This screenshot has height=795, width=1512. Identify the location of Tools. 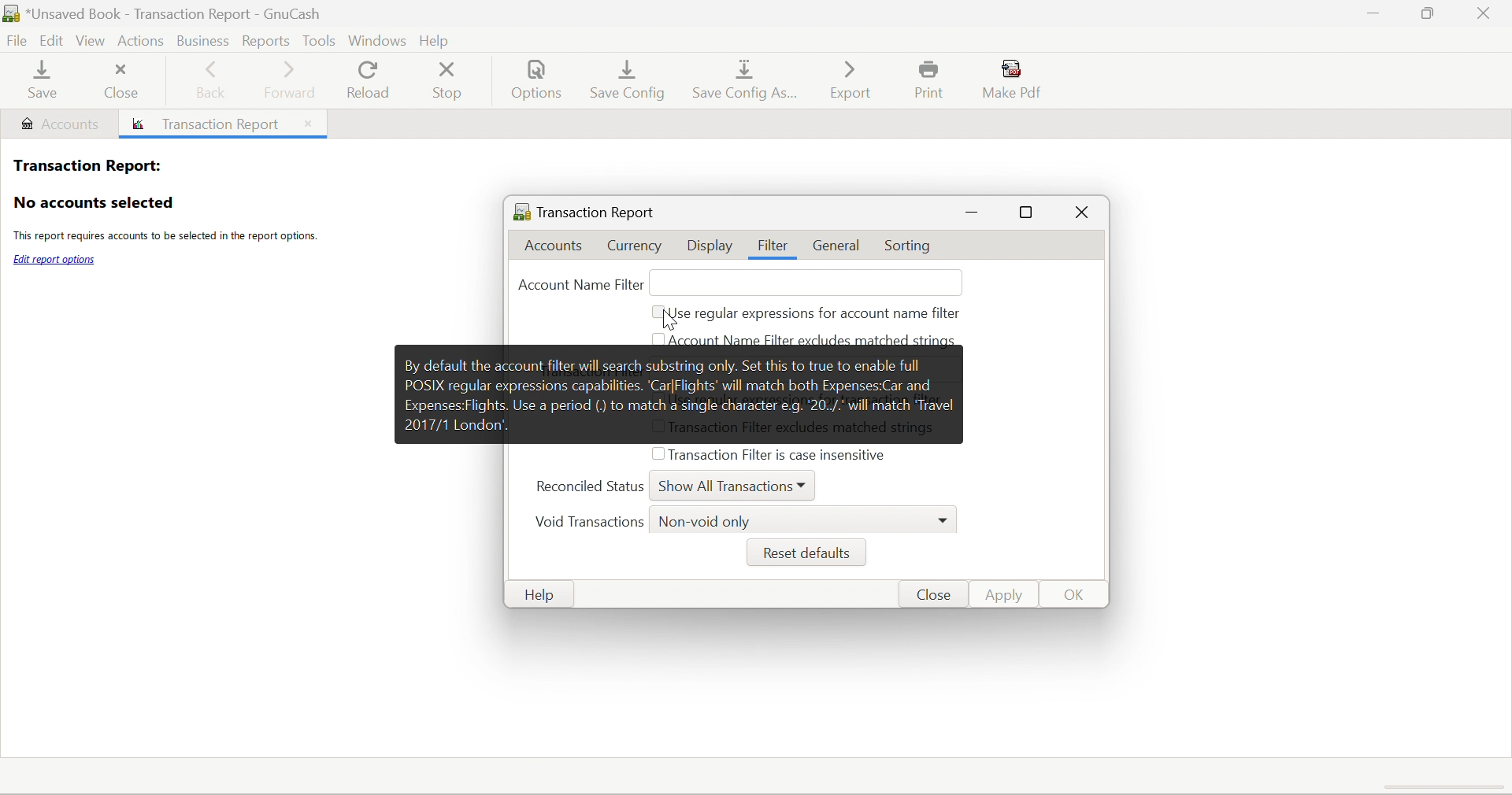
(318, 39).